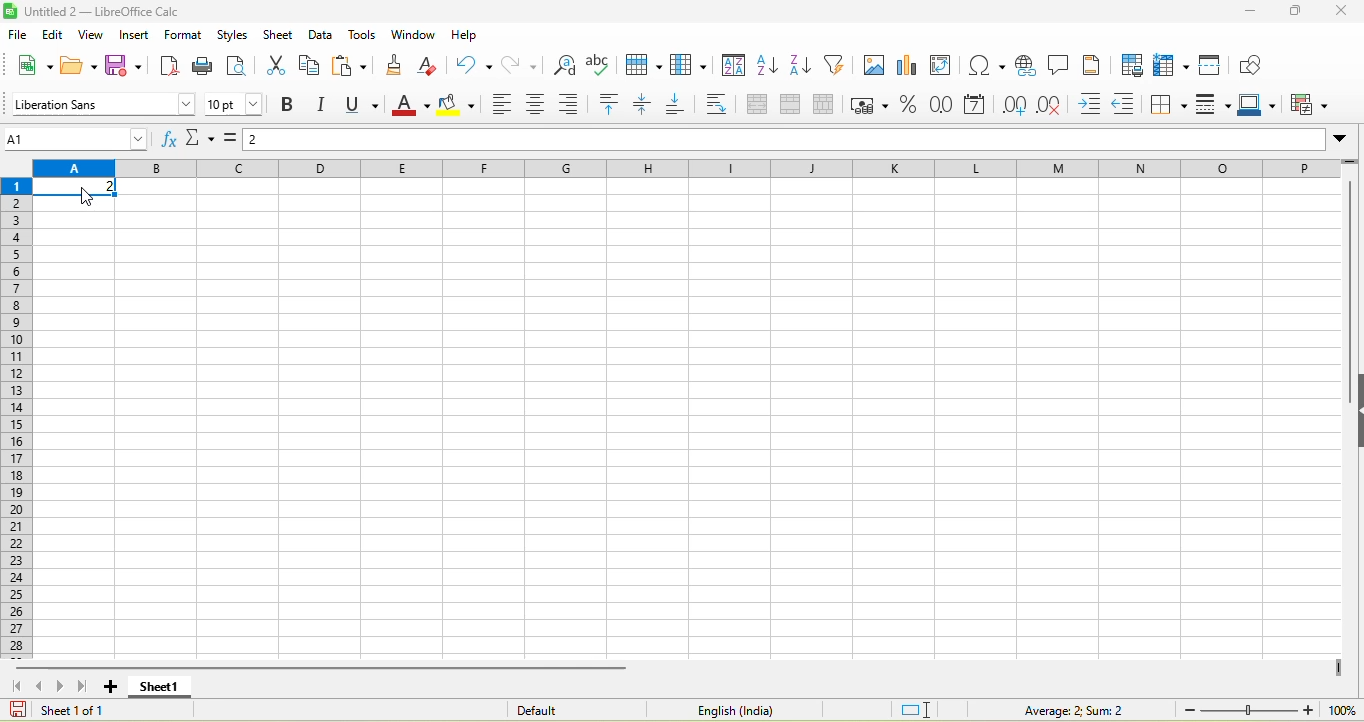  I want to click on drag to view more columns, so click(1339, 668).